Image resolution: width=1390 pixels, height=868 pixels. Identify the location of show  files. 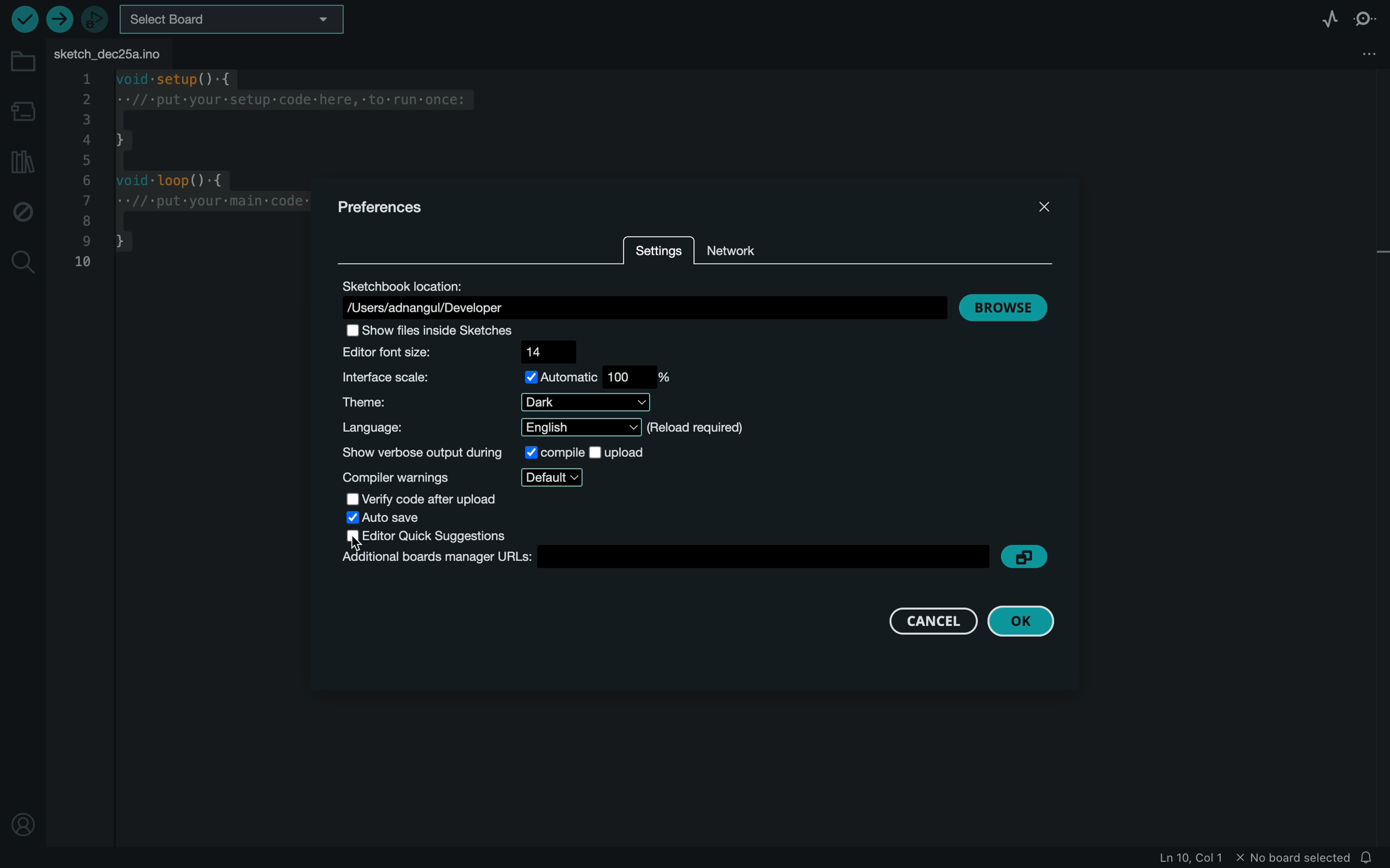
(439, 330).